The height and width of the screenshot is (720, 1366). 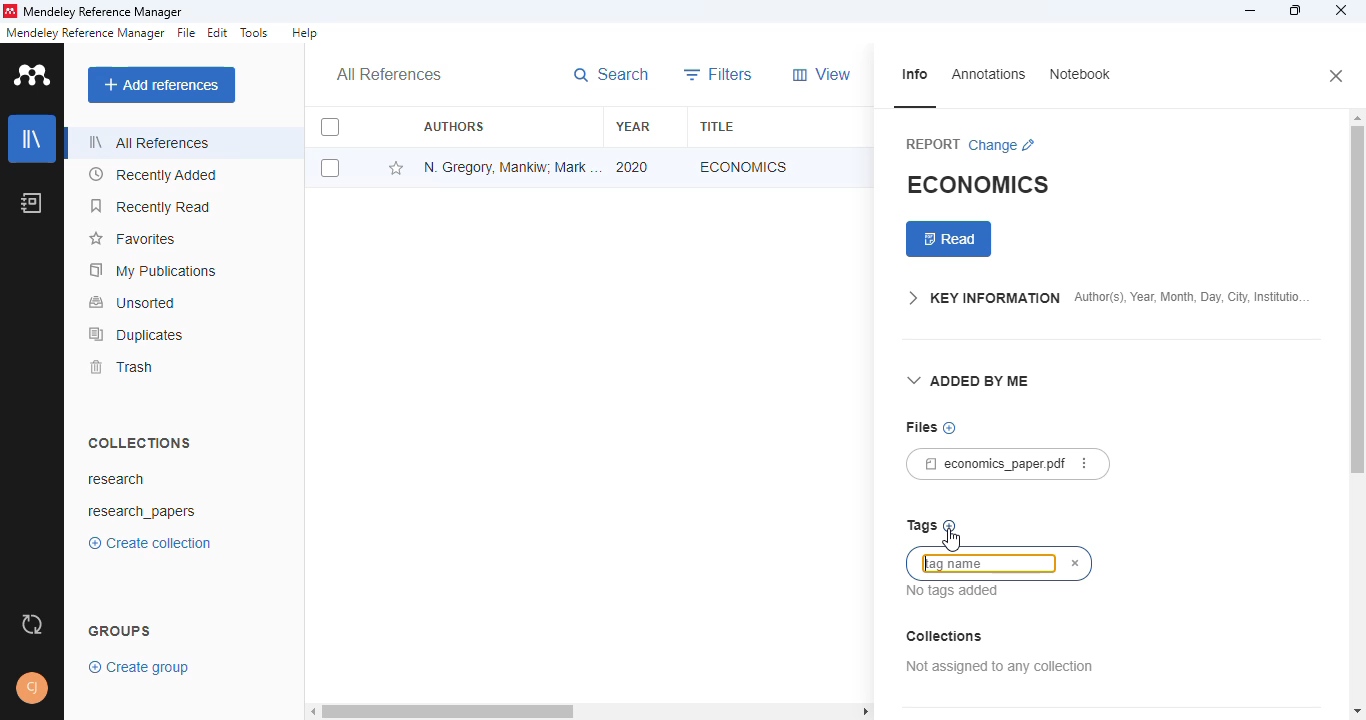 What do you see at coordinates (304, 33) in the screenshot?
I see `help` at bounding box center [304, 33].